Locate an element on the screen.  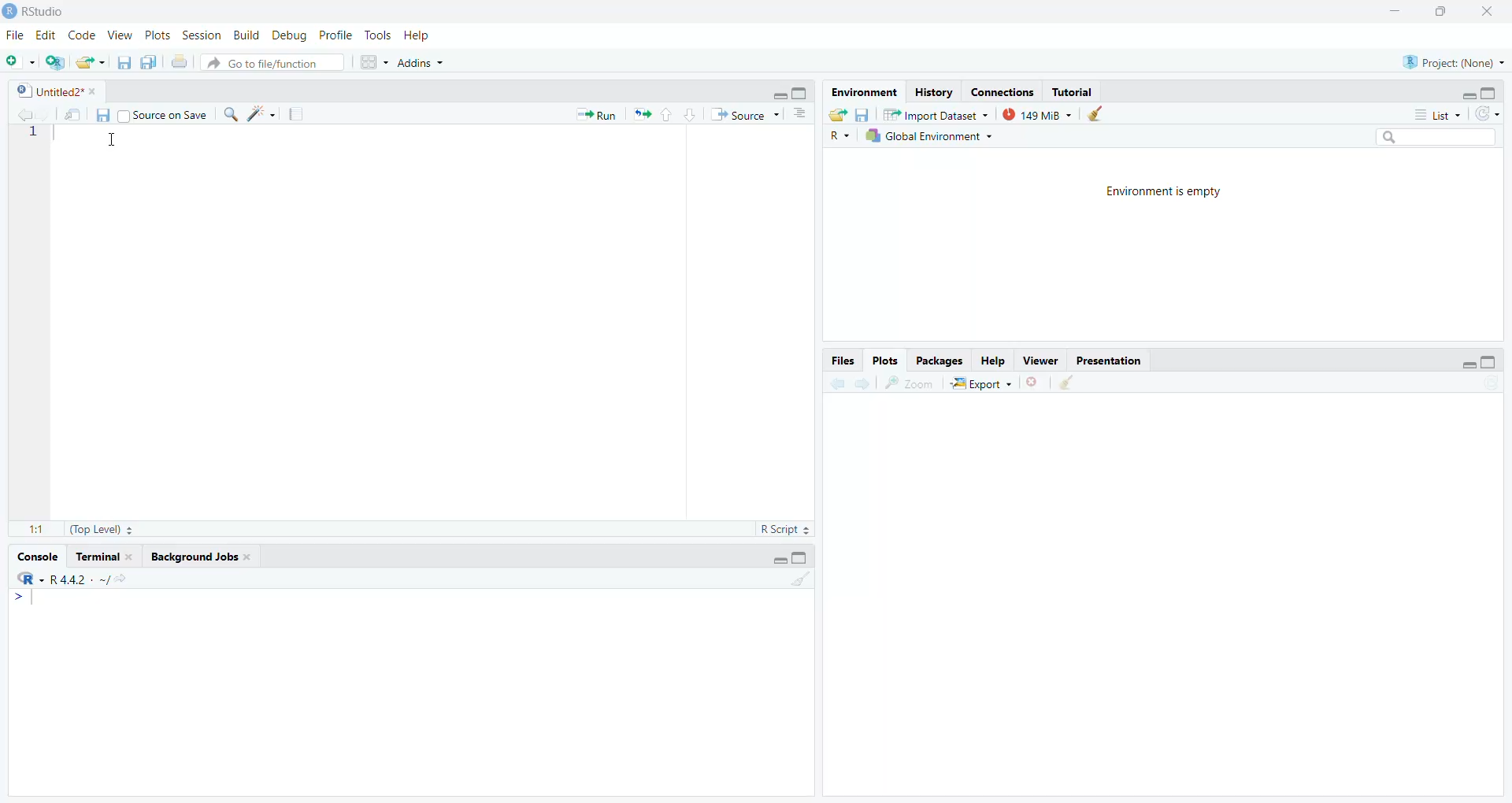
Go back to the previous source location (Ctrl + F9) is located at coordinates (834, 383).